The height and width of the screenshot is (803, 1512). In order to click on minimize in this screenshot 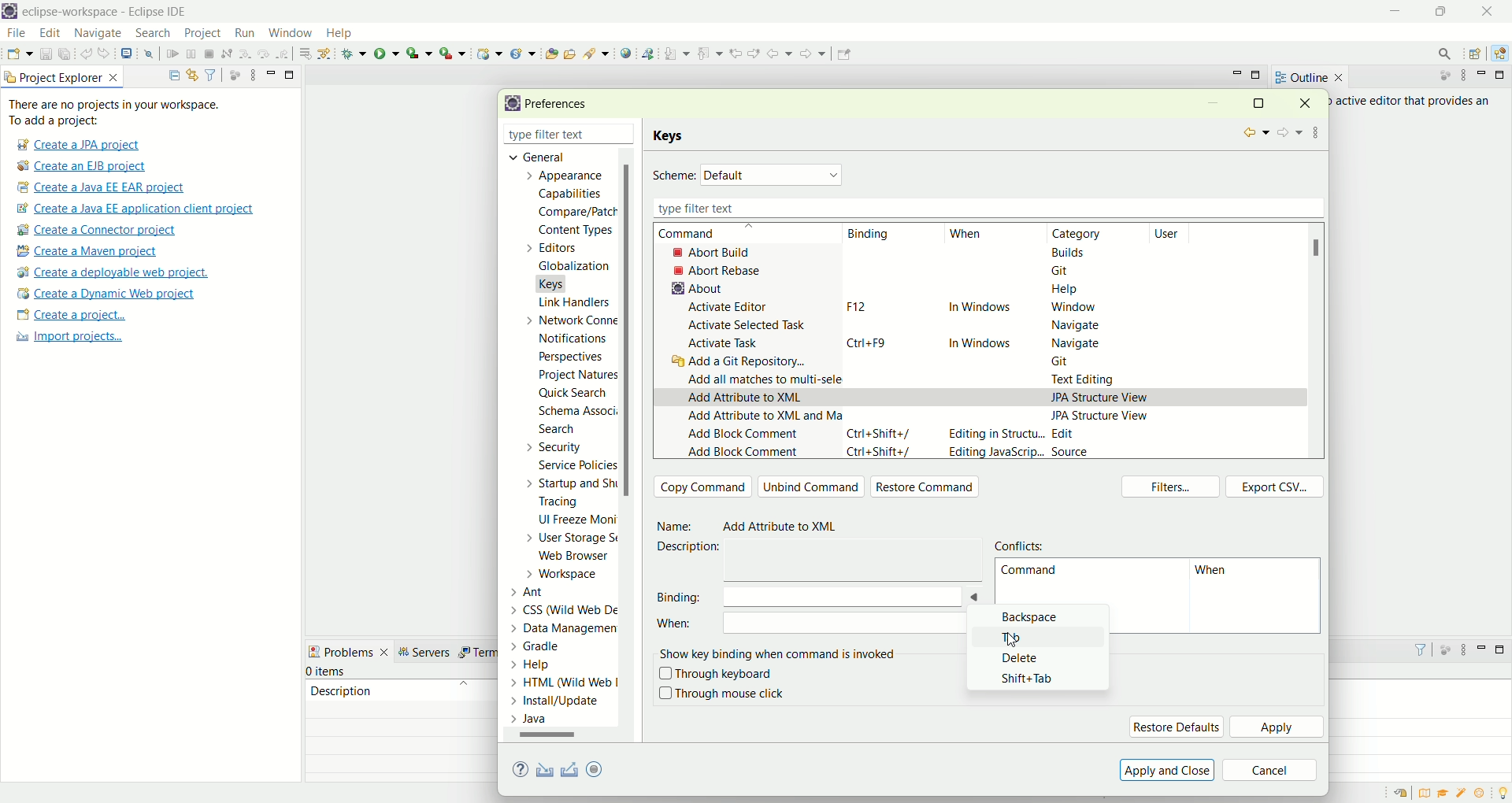, I will do `click(1237, 73)`.